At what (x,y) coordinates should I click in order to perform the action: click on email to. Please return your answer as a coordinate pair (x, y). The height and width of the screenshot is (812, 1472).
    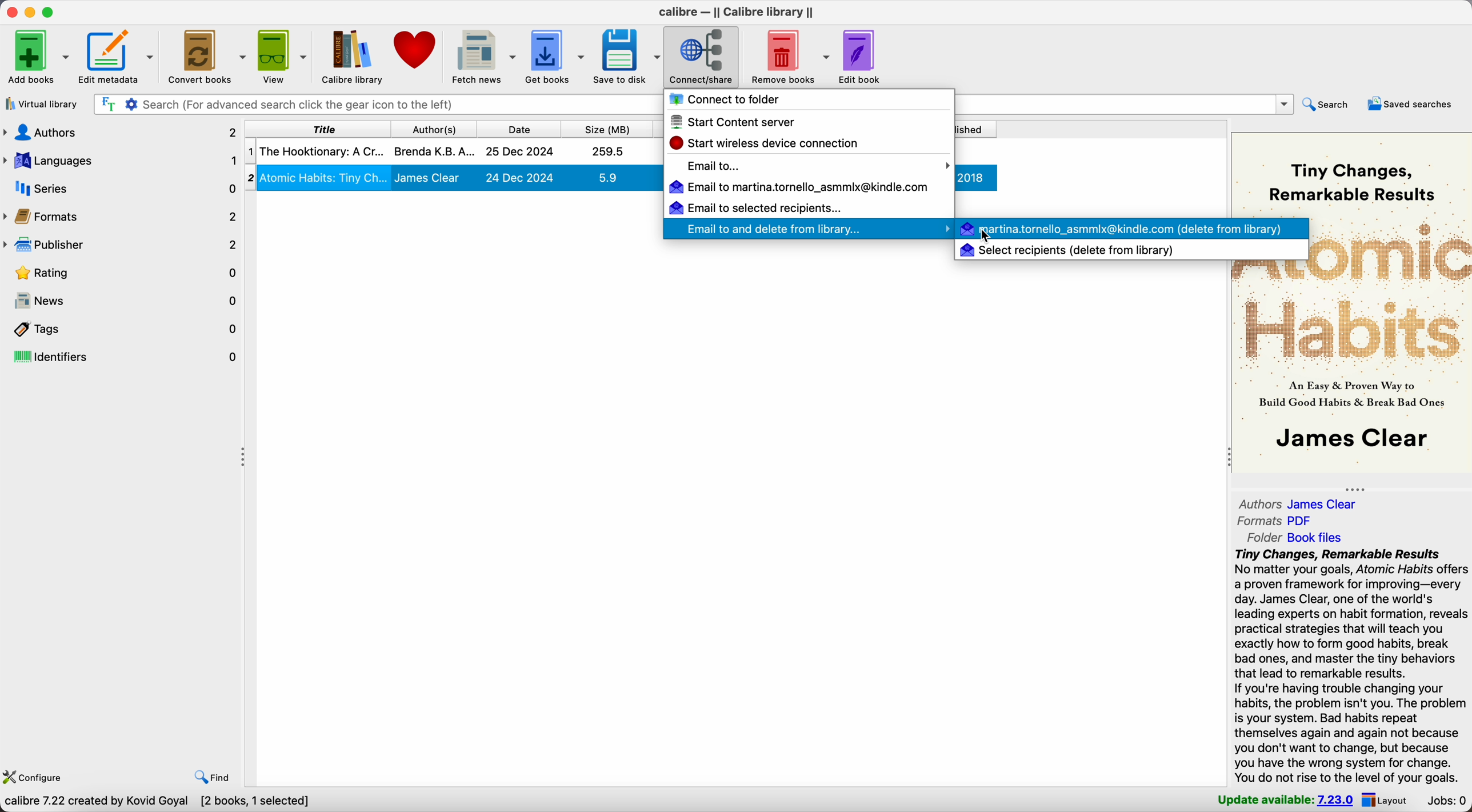
    Looking at the image, I should click on (817, 166).